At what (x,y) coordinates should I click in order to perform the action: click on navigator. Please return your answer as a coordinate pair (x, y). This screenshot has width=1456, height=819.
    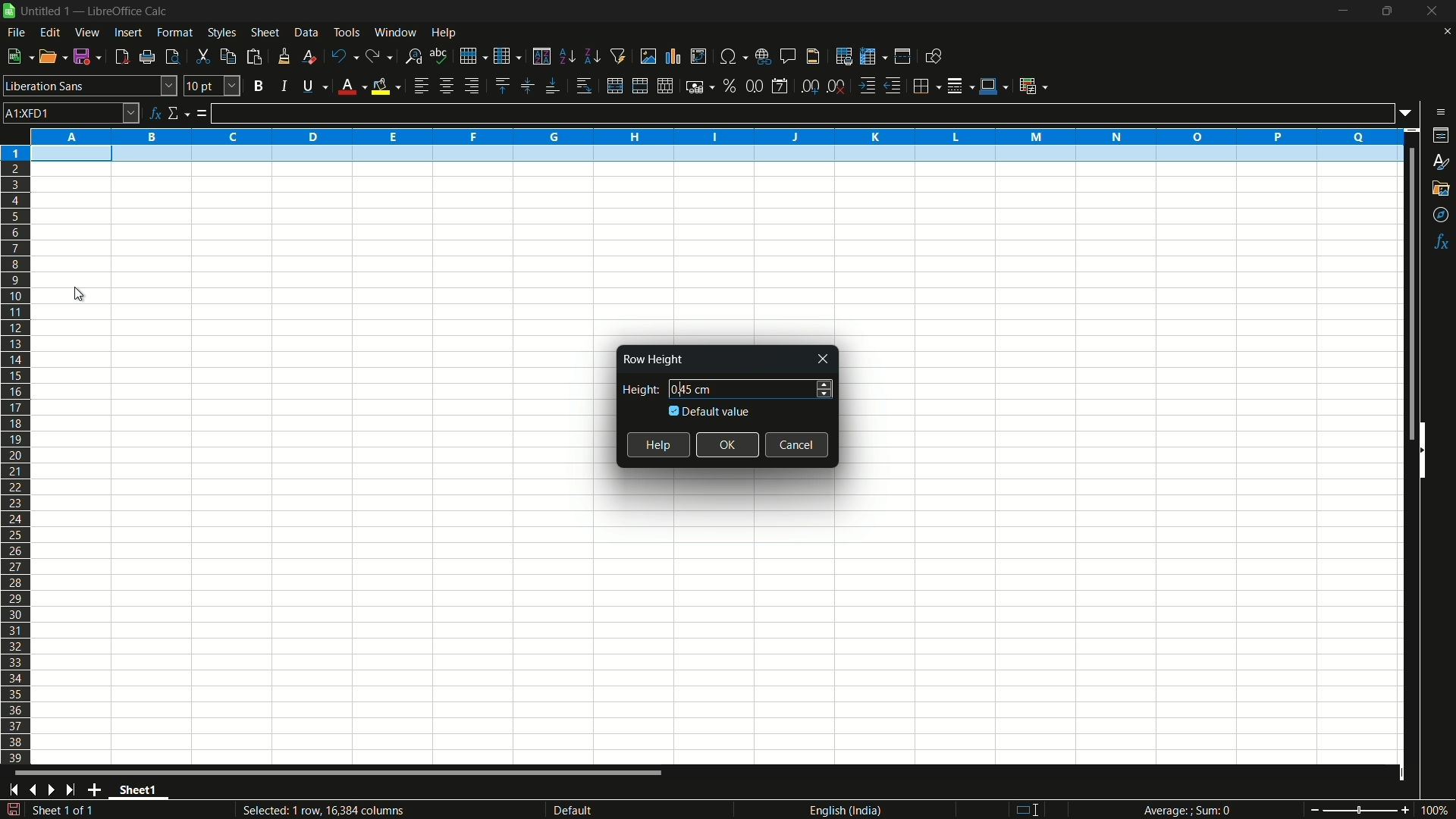
    Looking at the image, I should click on (1442, 215).